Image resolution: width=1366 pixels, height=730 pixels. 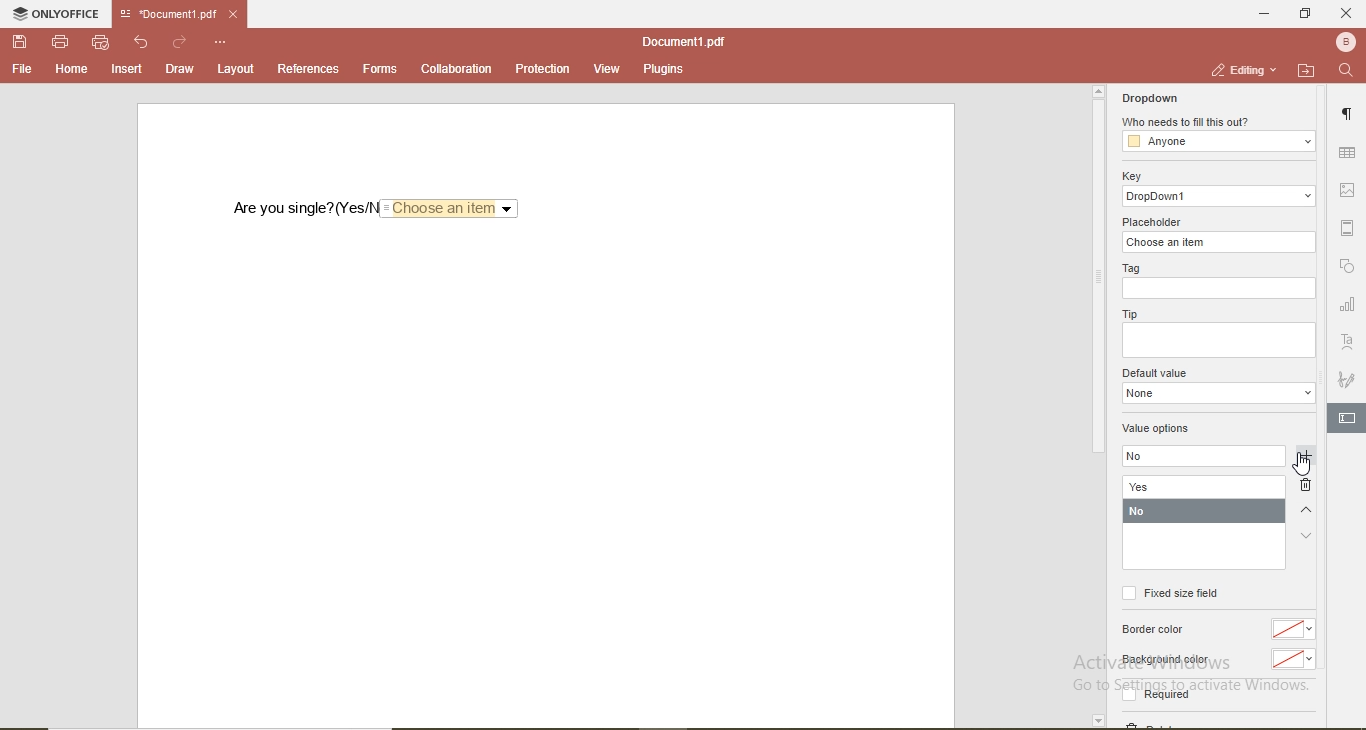 What do you see at coordinates (1166, 430) in the screenshot?
I see `value options` at bounding box center [1166, 430].